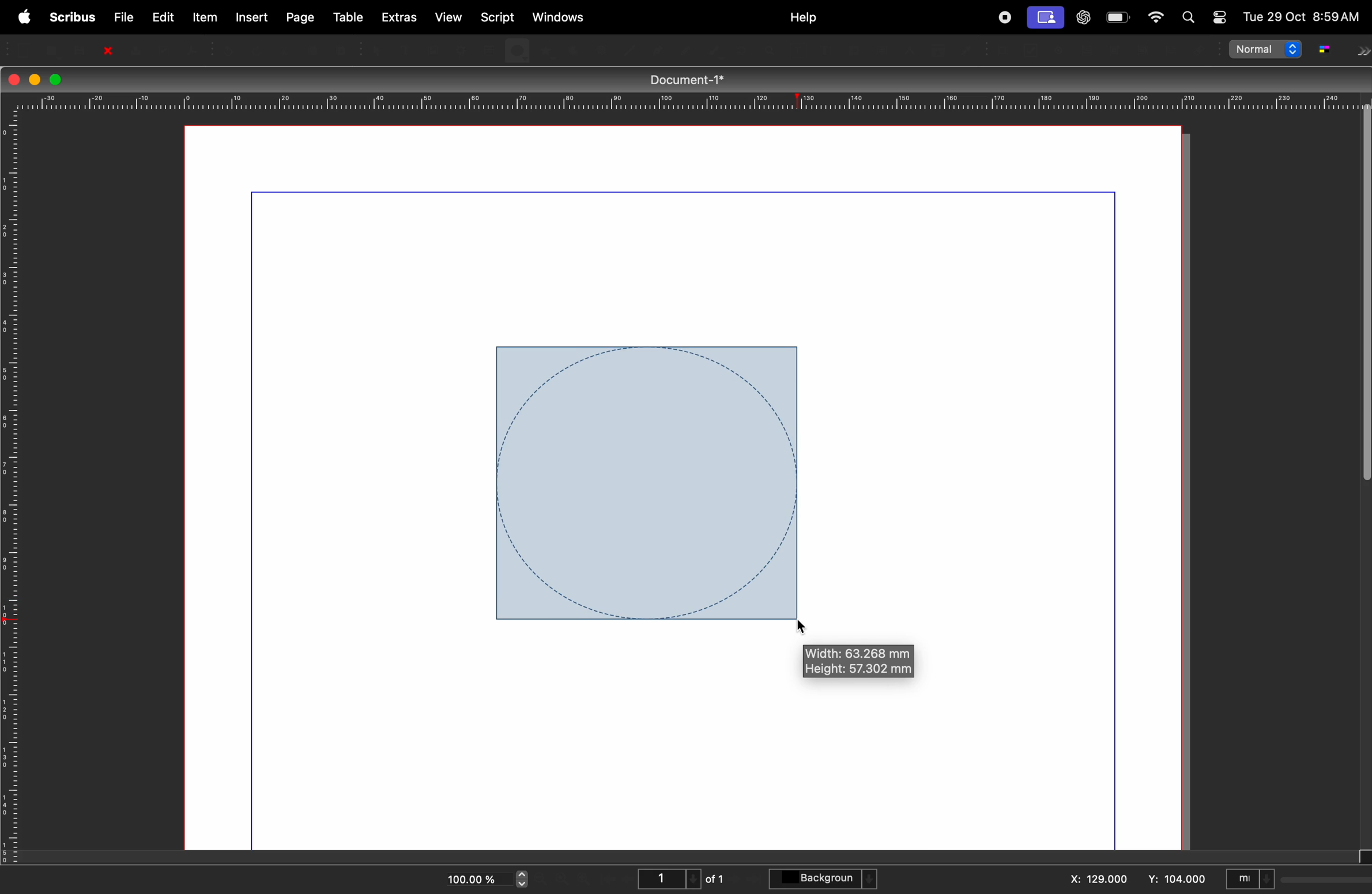 This screenshot has height=894, width=1372. I want to click on extras, so click(400, 17).